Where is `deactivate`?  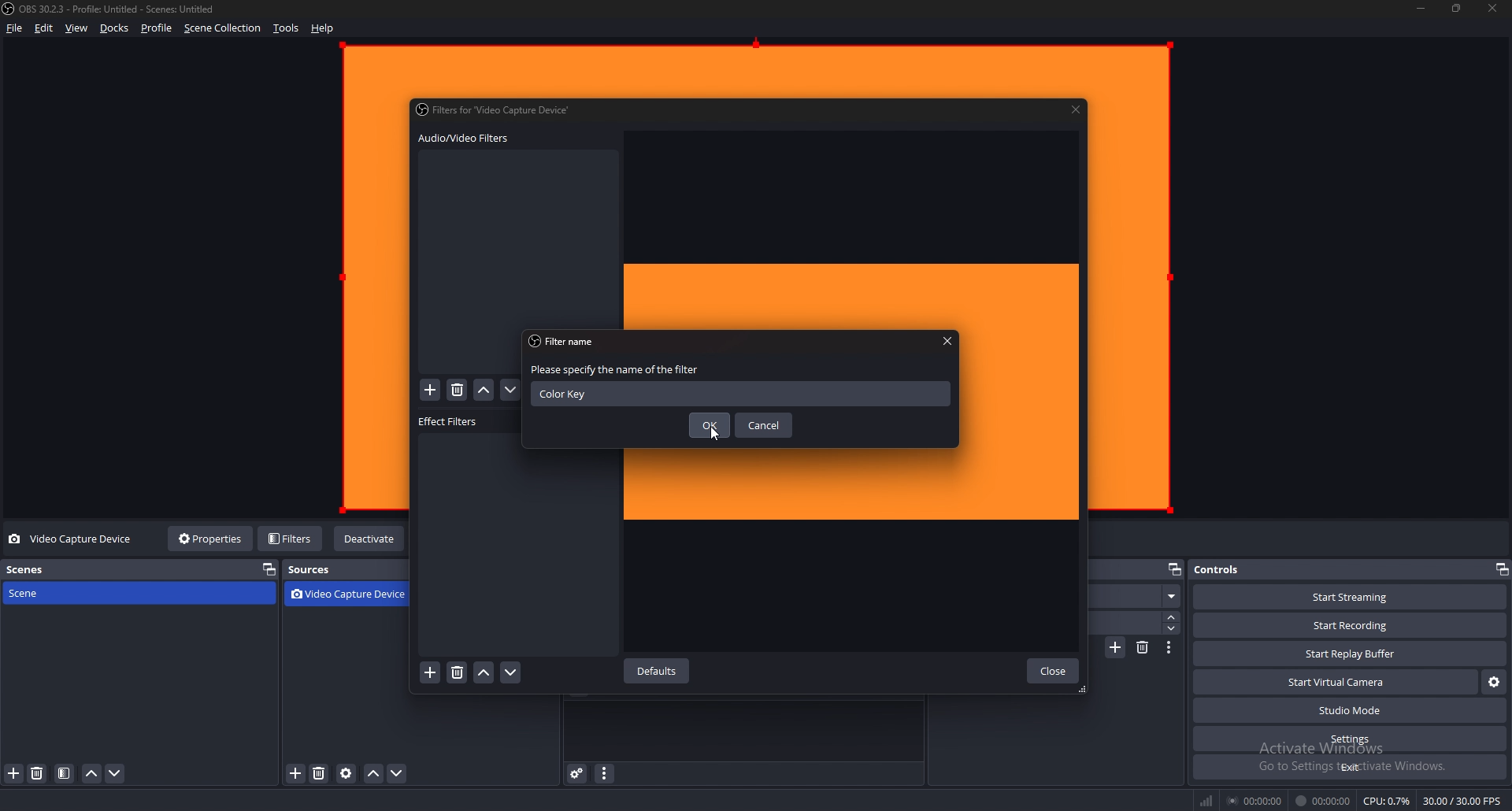
deactivate is located at coordinates (370, 539).